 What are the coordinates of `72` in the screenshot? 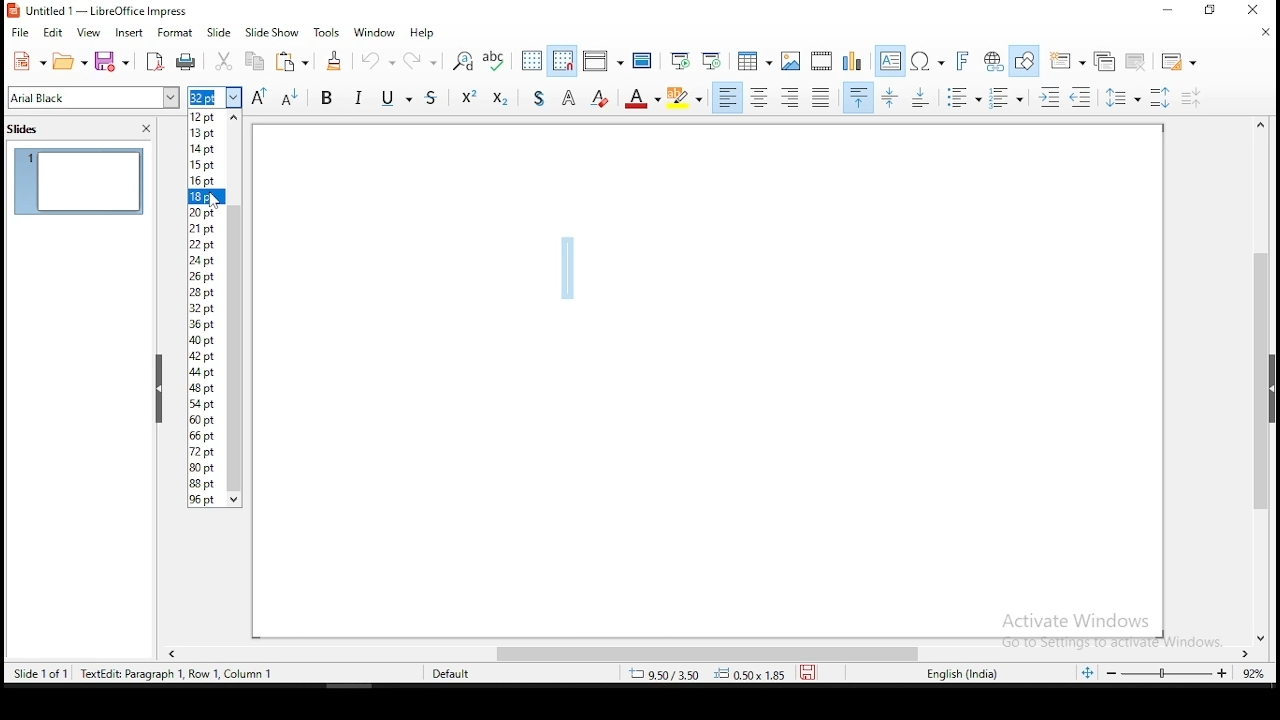 It's located at (206, 451).